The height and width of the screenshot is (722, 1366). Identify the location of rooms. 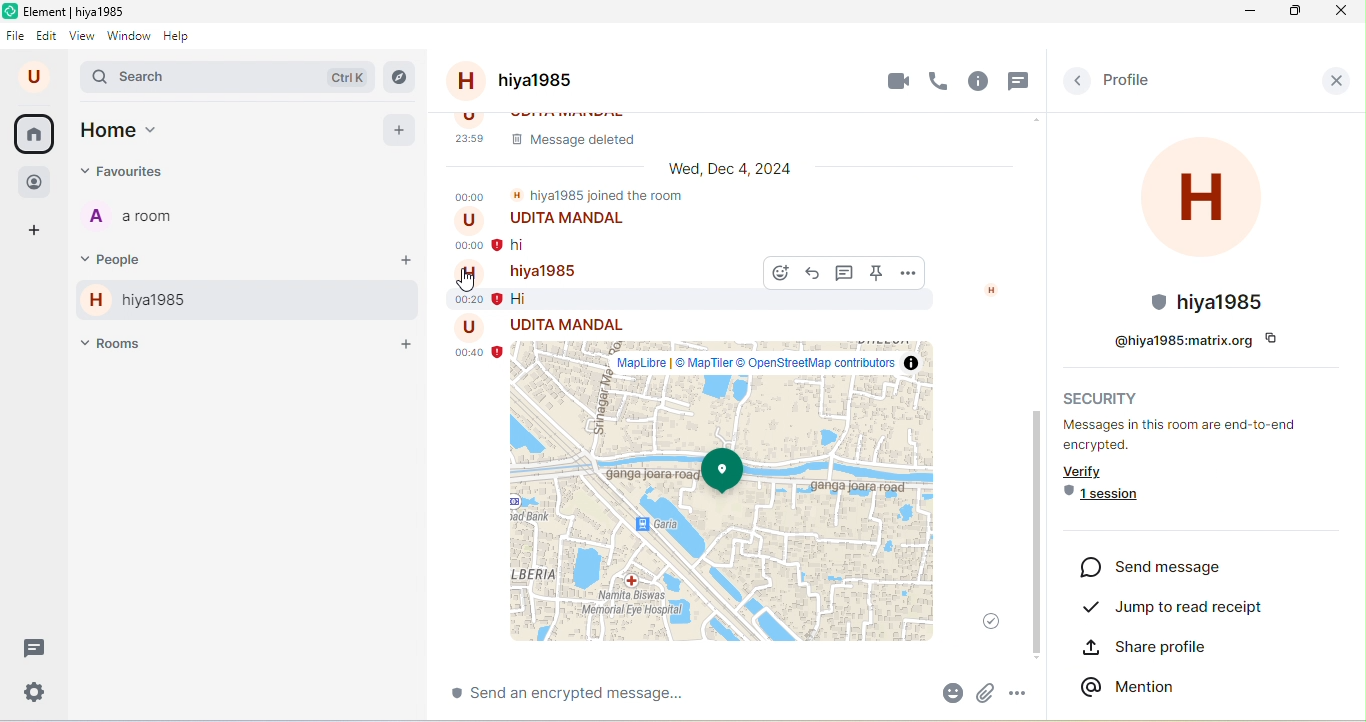
(114, 345).